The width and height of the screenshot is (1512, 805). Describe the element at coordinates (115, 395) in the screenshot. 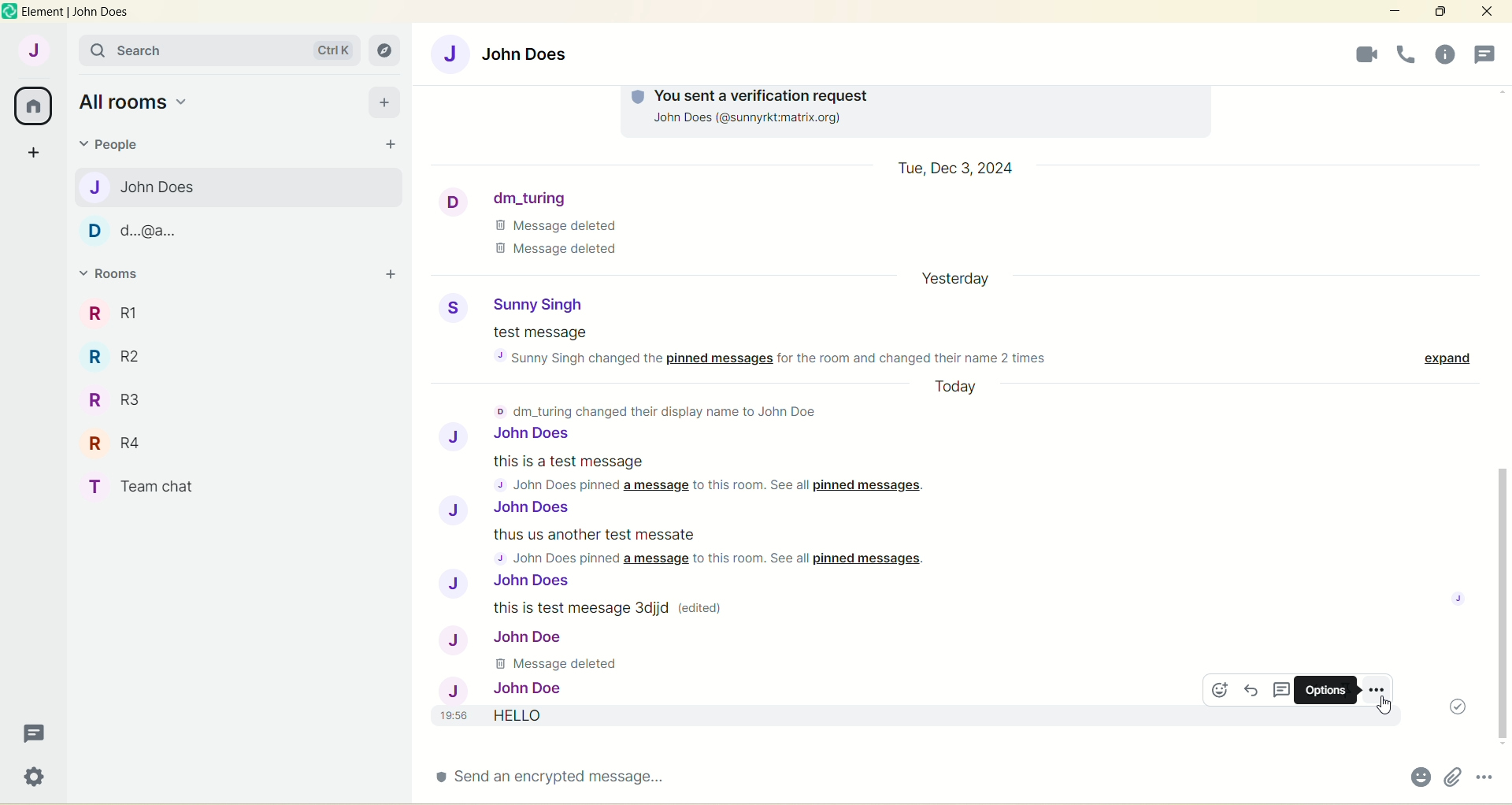

I see `R R3` at that location.